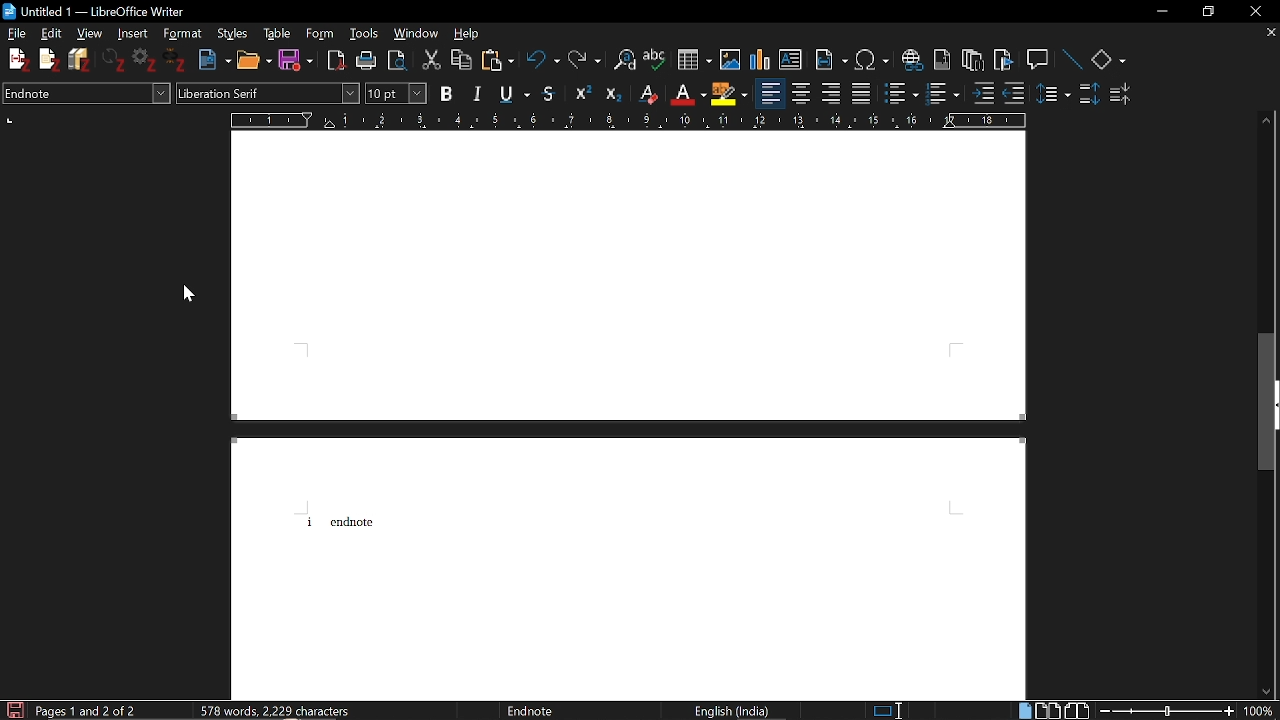 The image size is (1280, 720). I want to click on Restore down, so click(1205, 12).